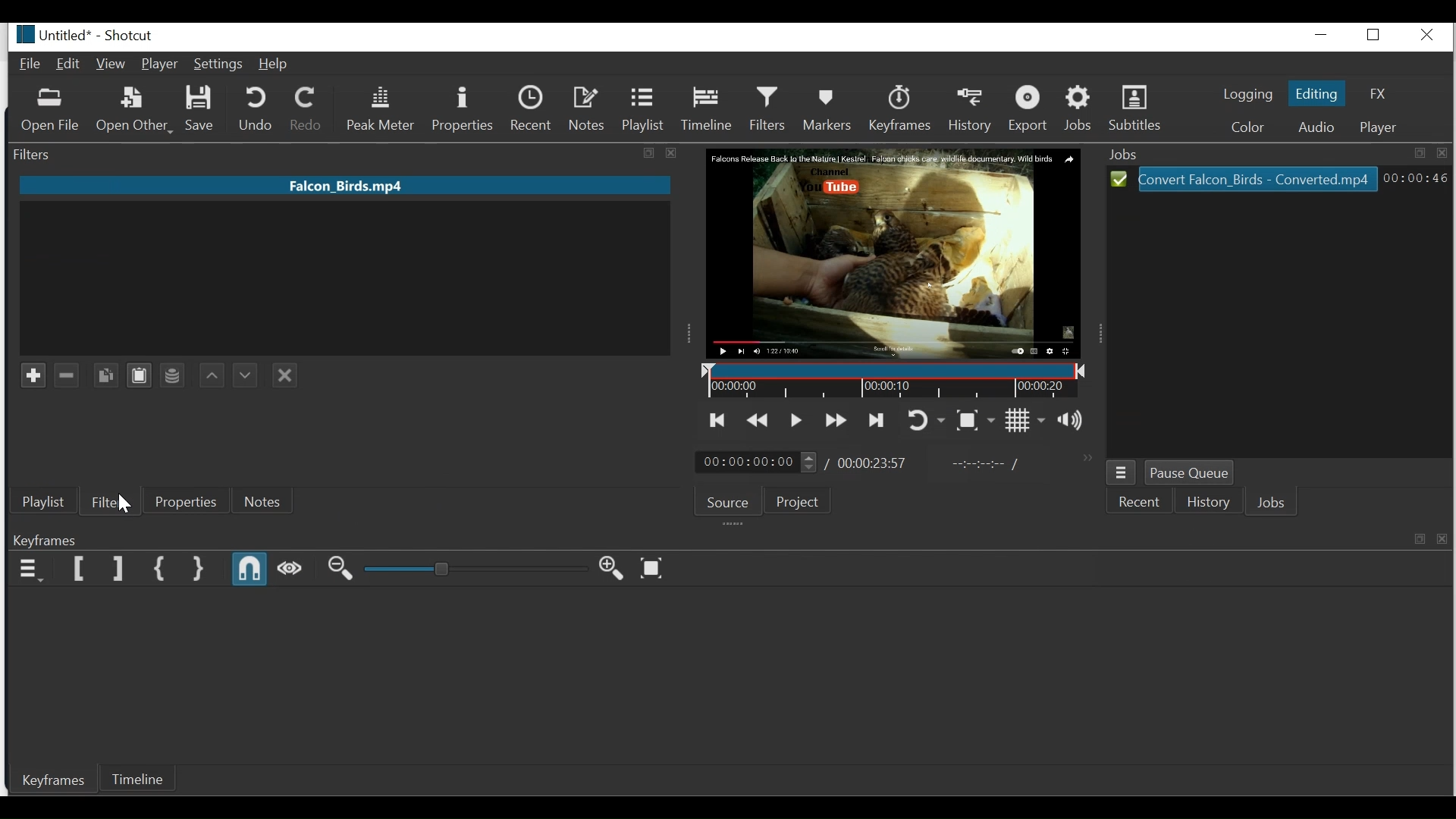 This screenshot has height=819, width=1456. What do you see at coordinates (107, 375) in the screenshot?
I see `Copy checked filters` at bounding box center [107, 375].